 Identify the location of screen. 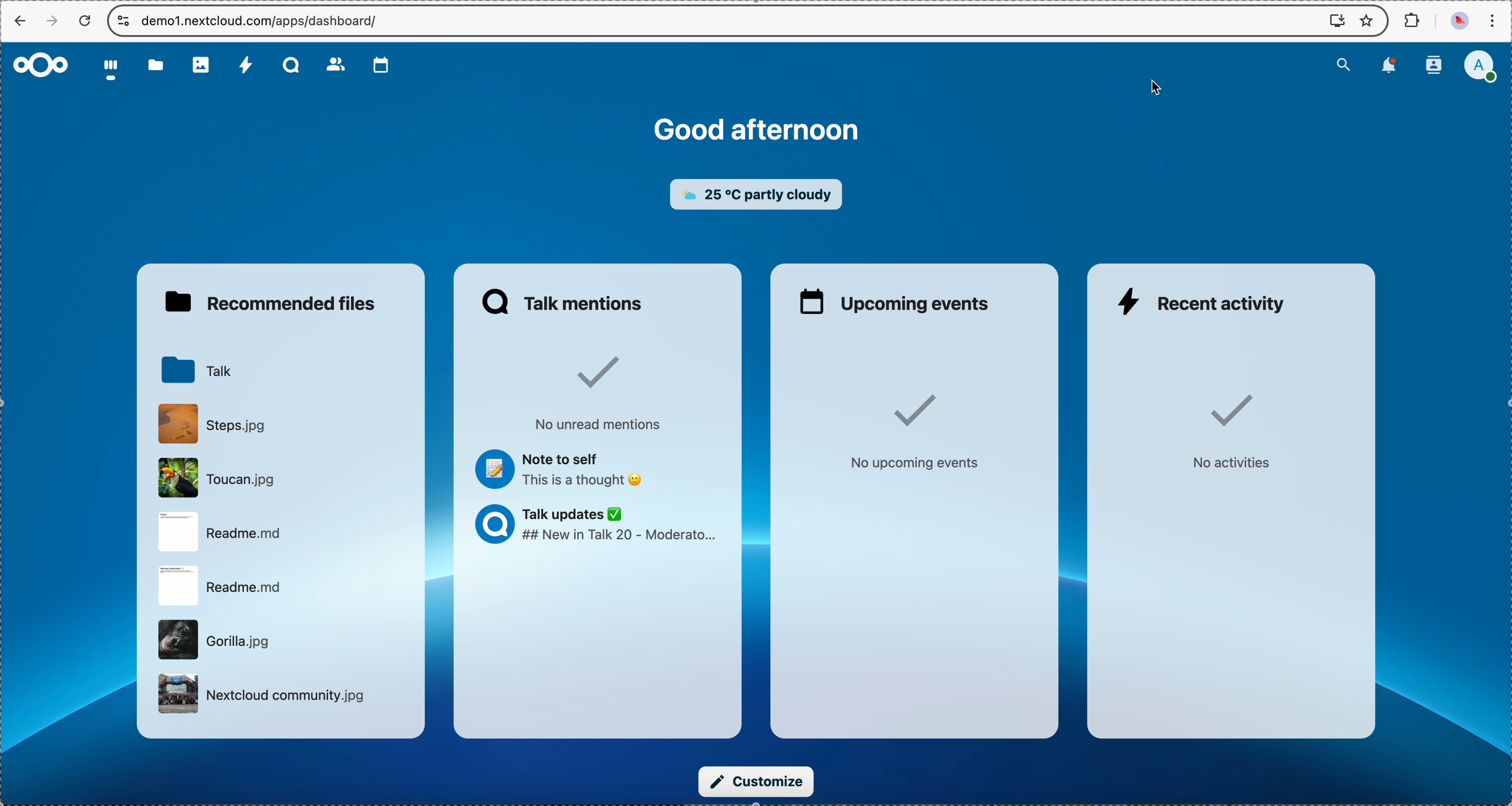
(1337, 21).